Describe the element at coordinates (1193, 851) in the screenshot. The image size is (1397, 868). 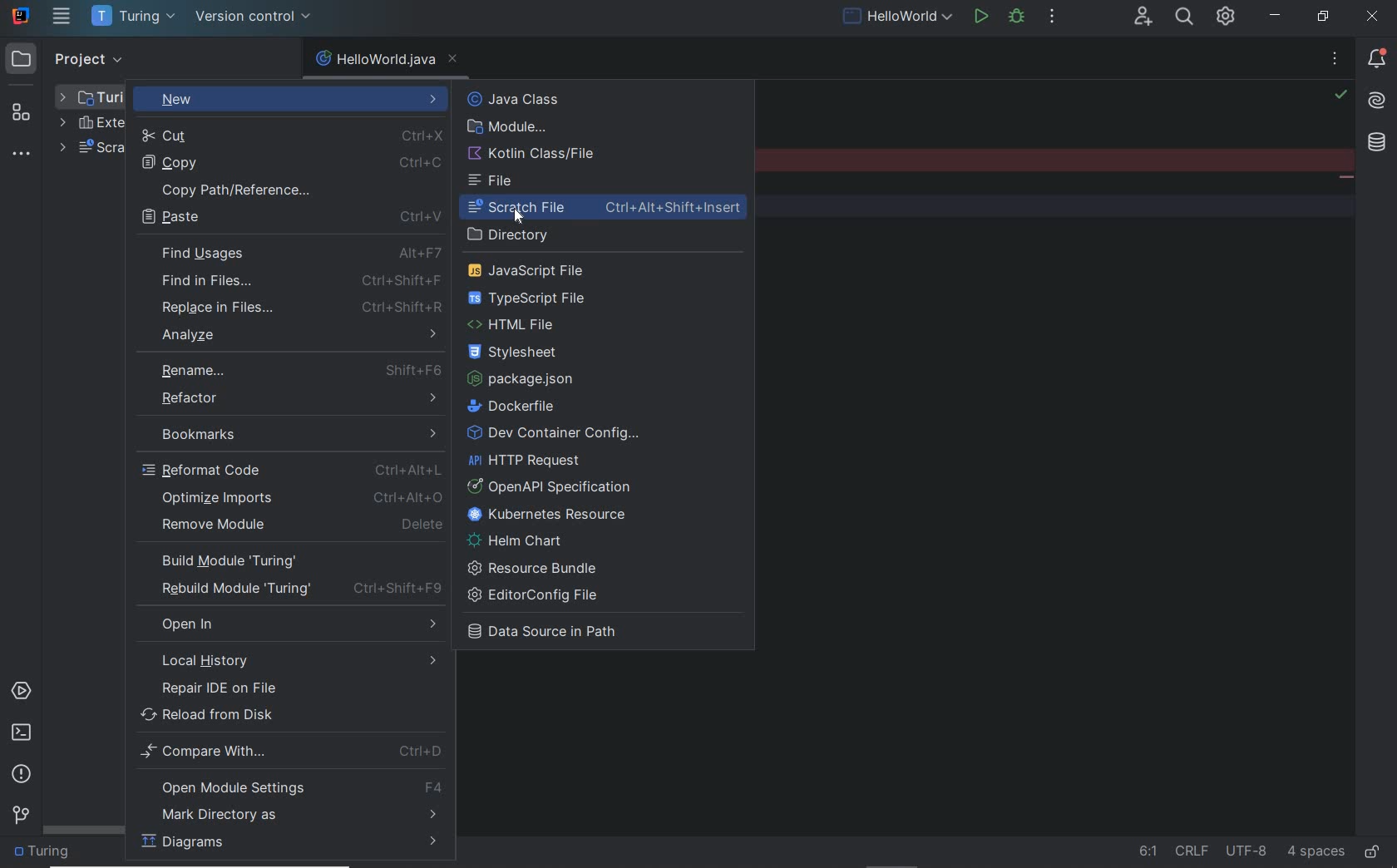
I see `line separator` at that location.